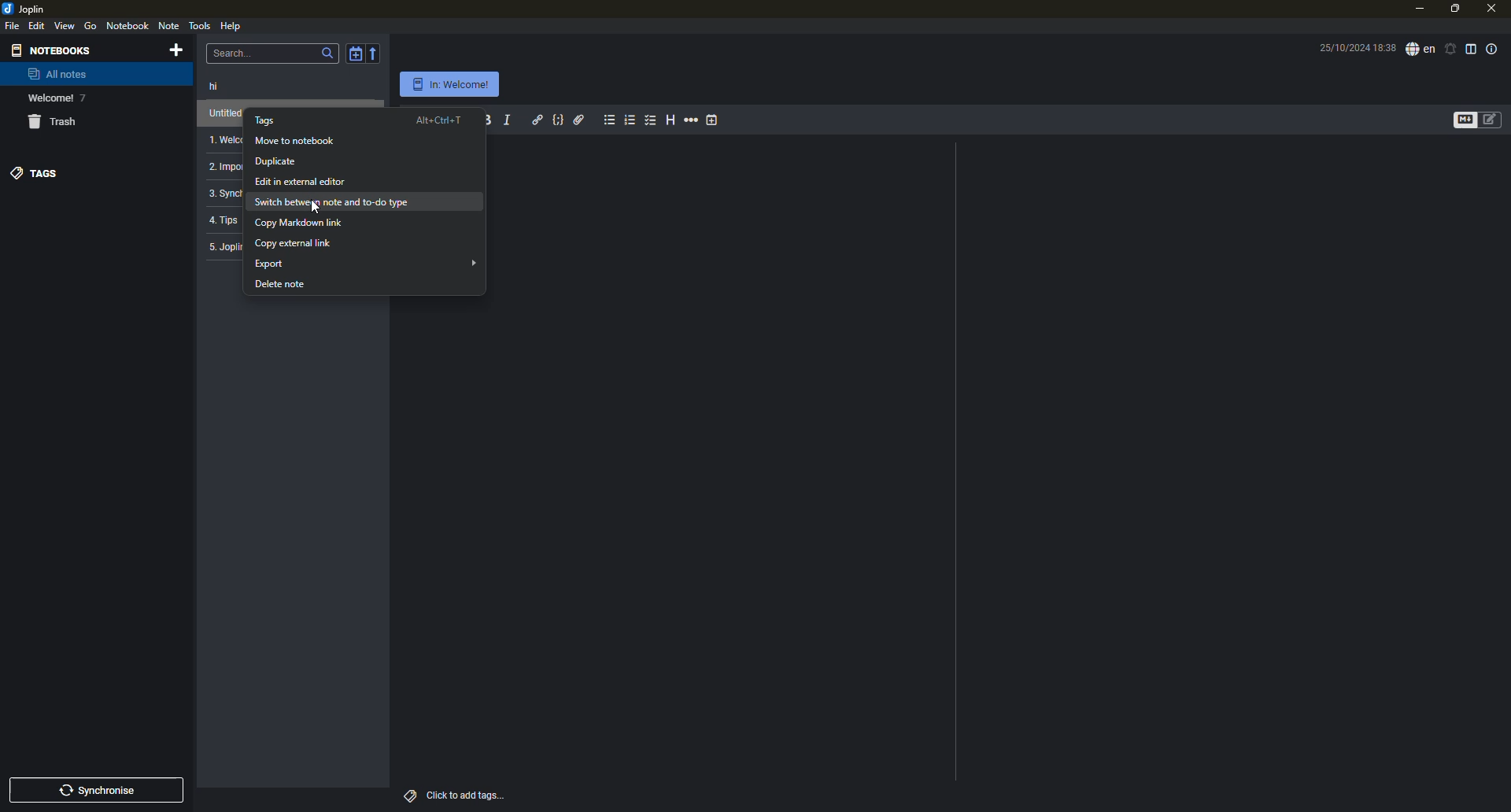 The width and height of the screenshot is (1511, 812). I want to click on note, so click(169, 25).